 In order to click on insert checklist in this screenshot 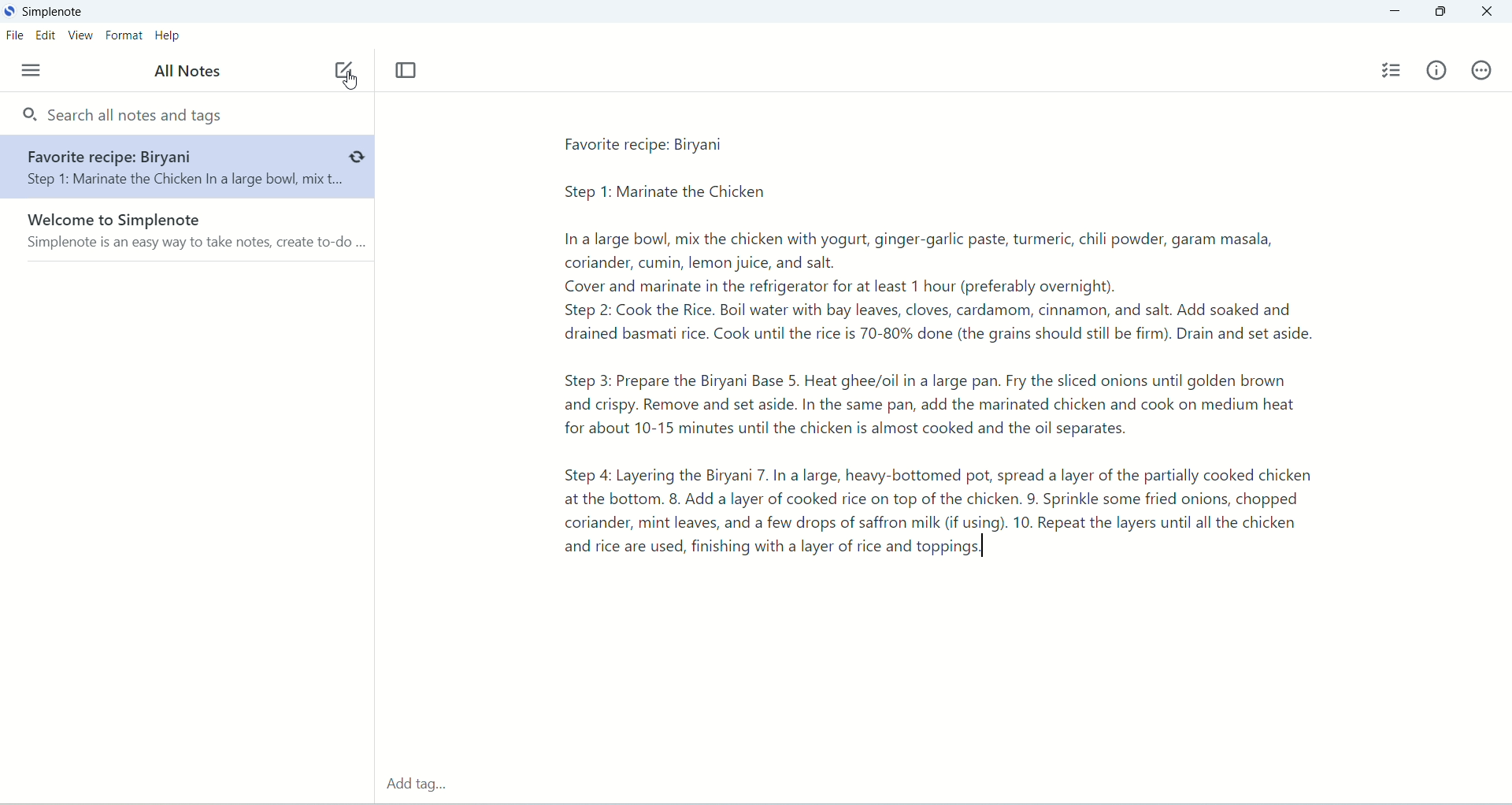, I will do `click(1391, 71)`.